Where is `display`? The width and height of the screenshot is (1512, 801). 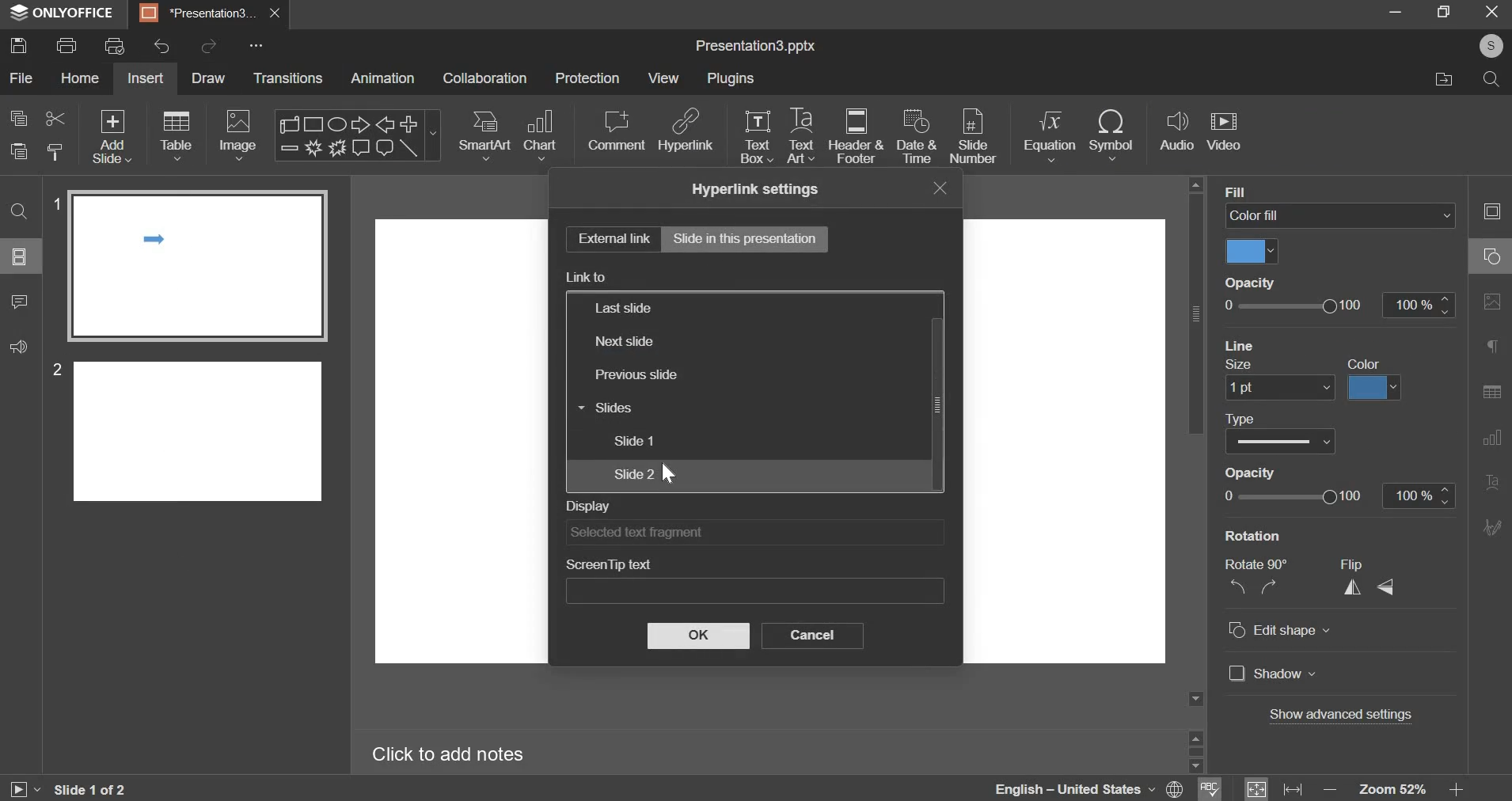 display is located at coordinates (588, 507).